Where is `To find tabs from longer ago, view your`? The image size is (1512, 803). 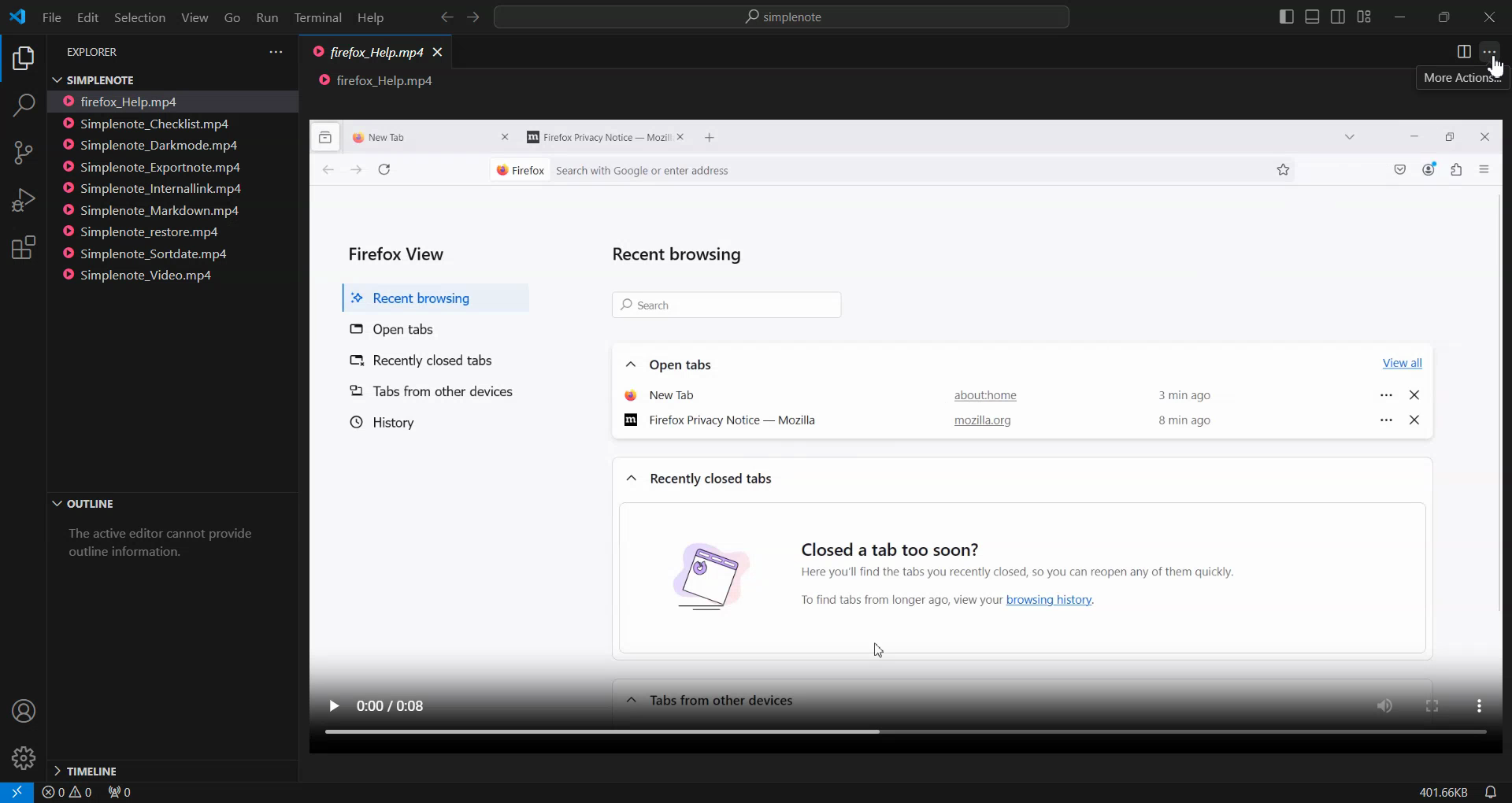 To find tabs from longer ago, view your is located at coordinates (893, 600).